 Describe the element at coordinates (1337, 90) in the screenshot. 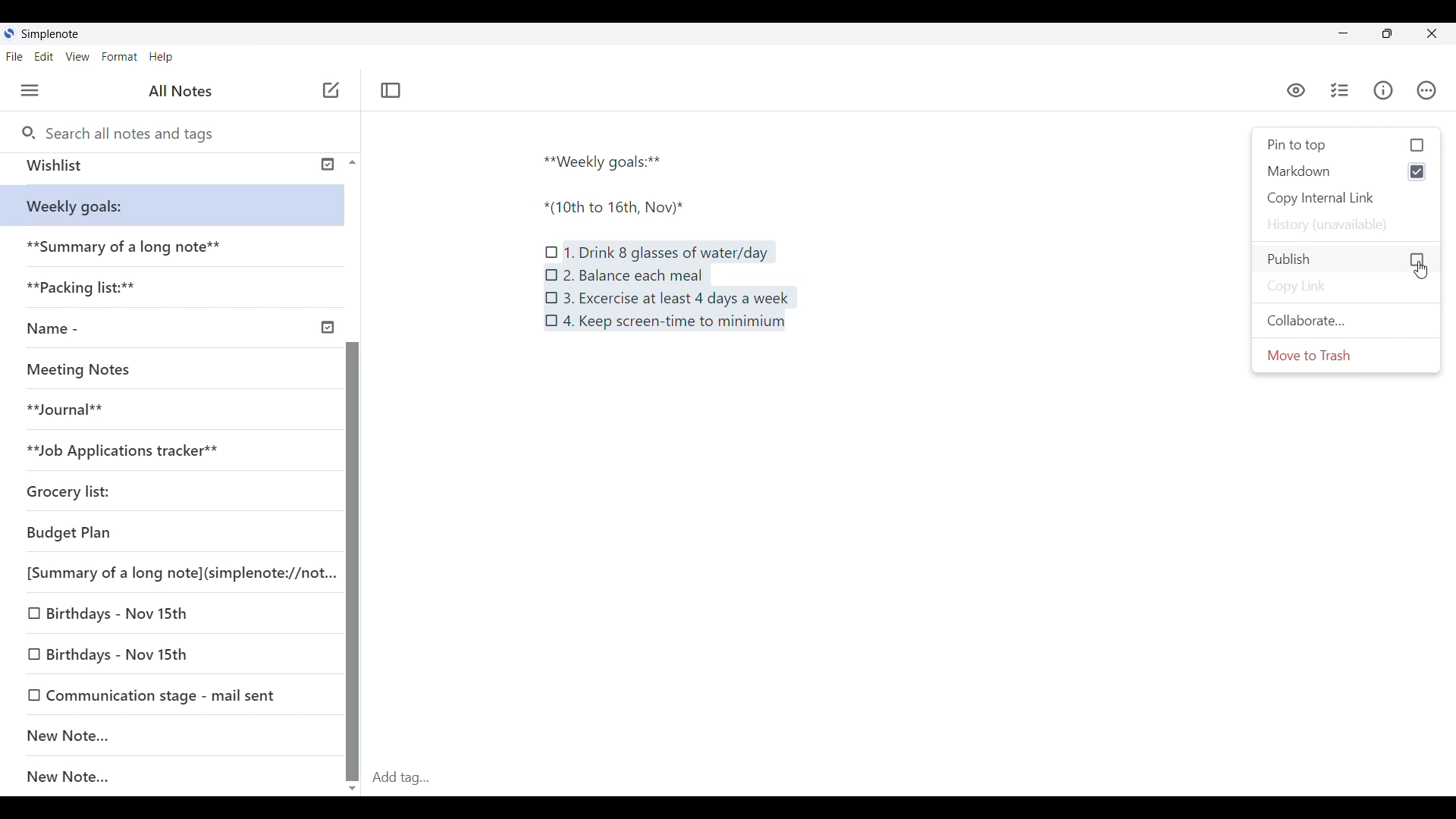

I see `Checklist` at that location.